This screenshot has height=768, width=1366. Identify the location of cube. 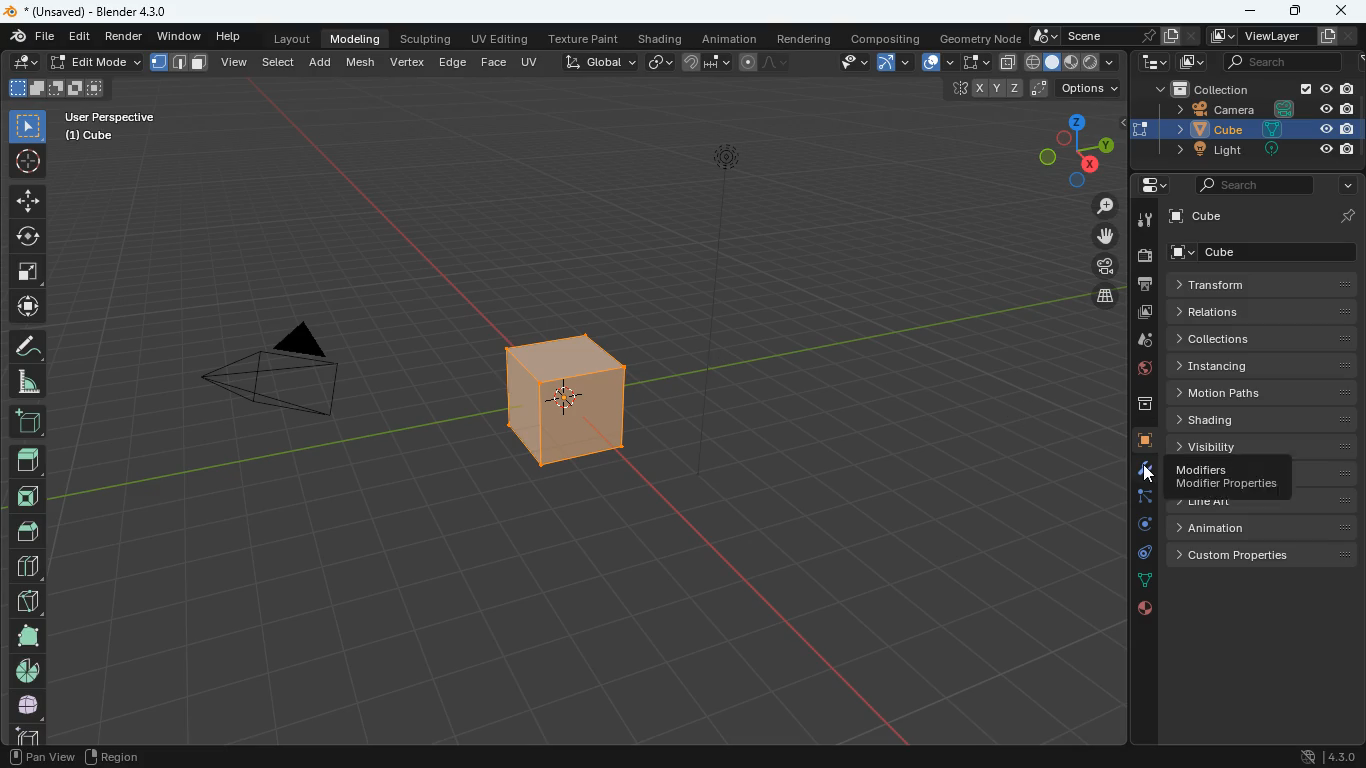
(1264, 217).